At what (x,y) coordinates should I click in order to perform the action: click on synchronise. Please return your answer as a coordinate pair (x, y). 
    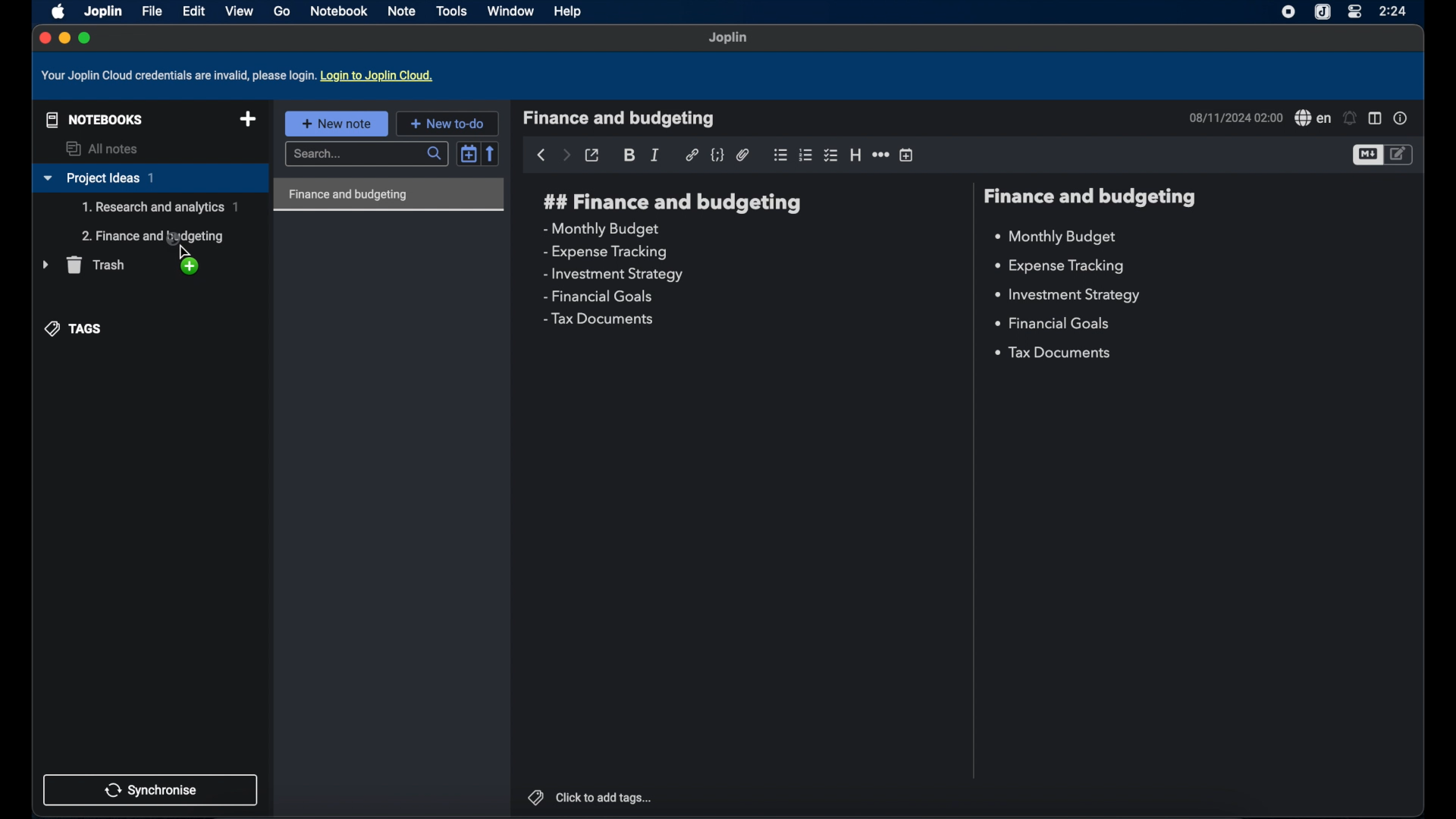
    Looking at the image, I should click on (151, 789).